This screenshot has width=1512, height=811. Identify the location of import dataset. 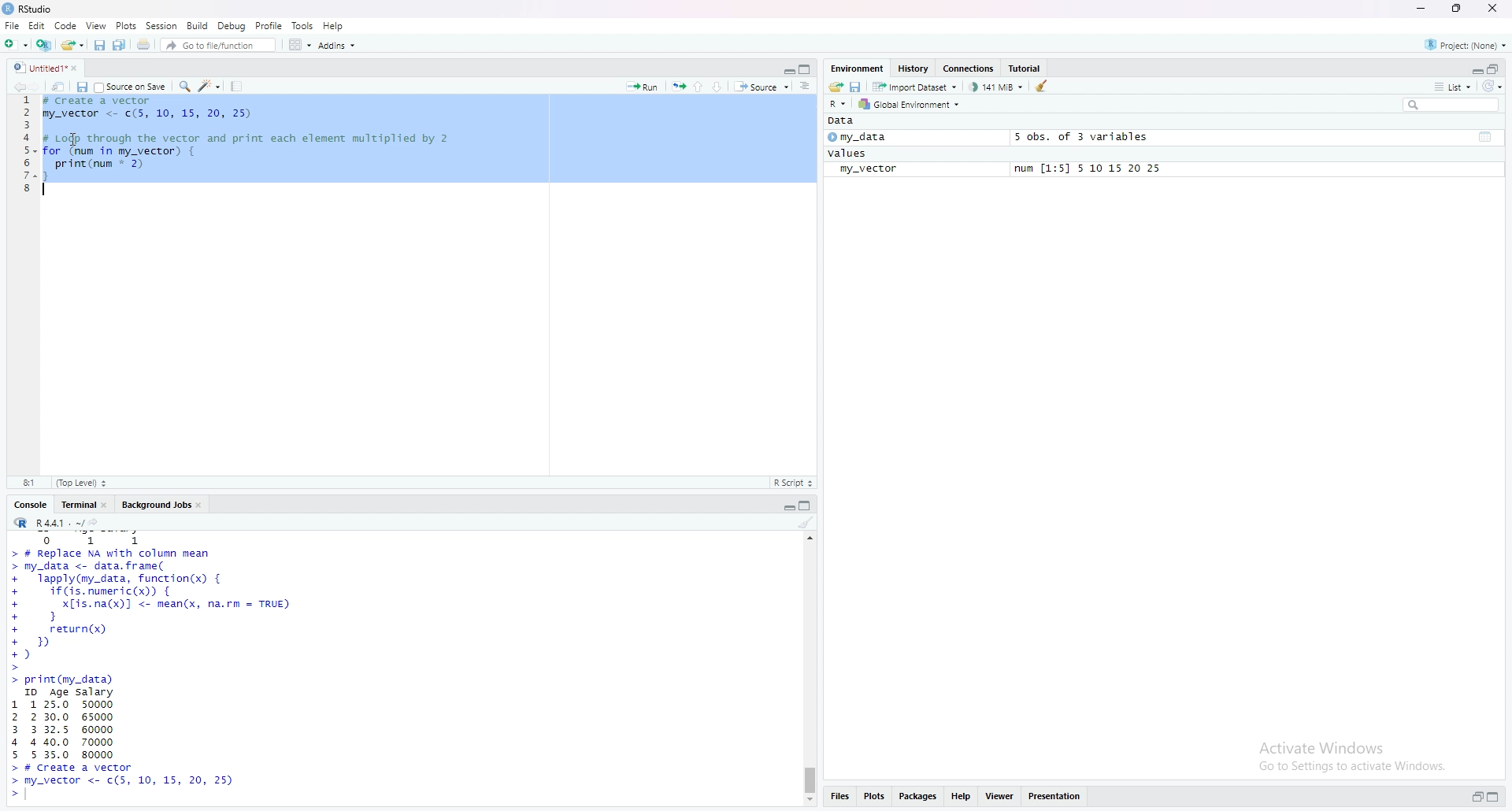
(915, 87).